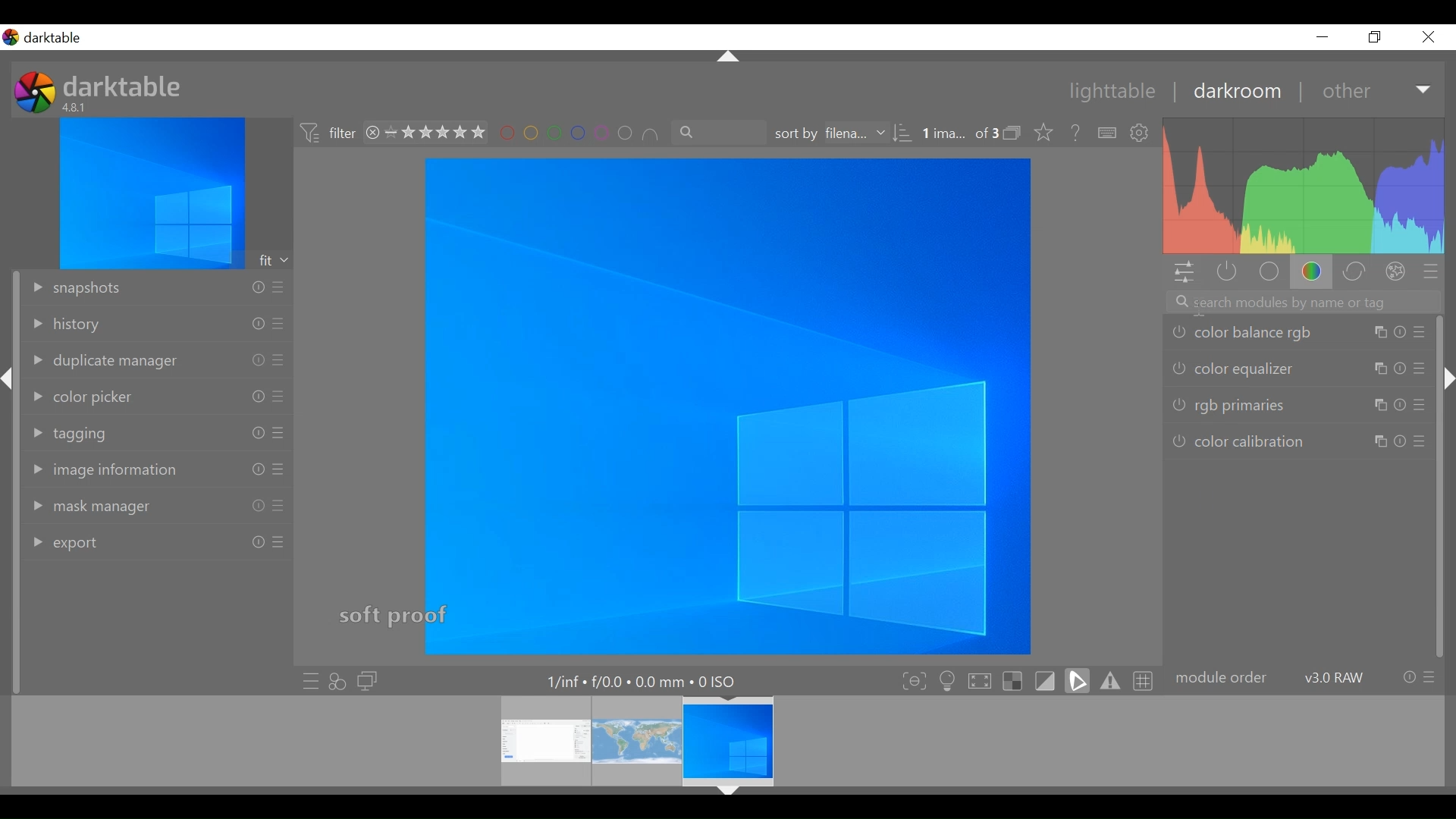 The height and width of the screenshot is (819, 1456). I want to click on show global preferences, so click(1141, 134).